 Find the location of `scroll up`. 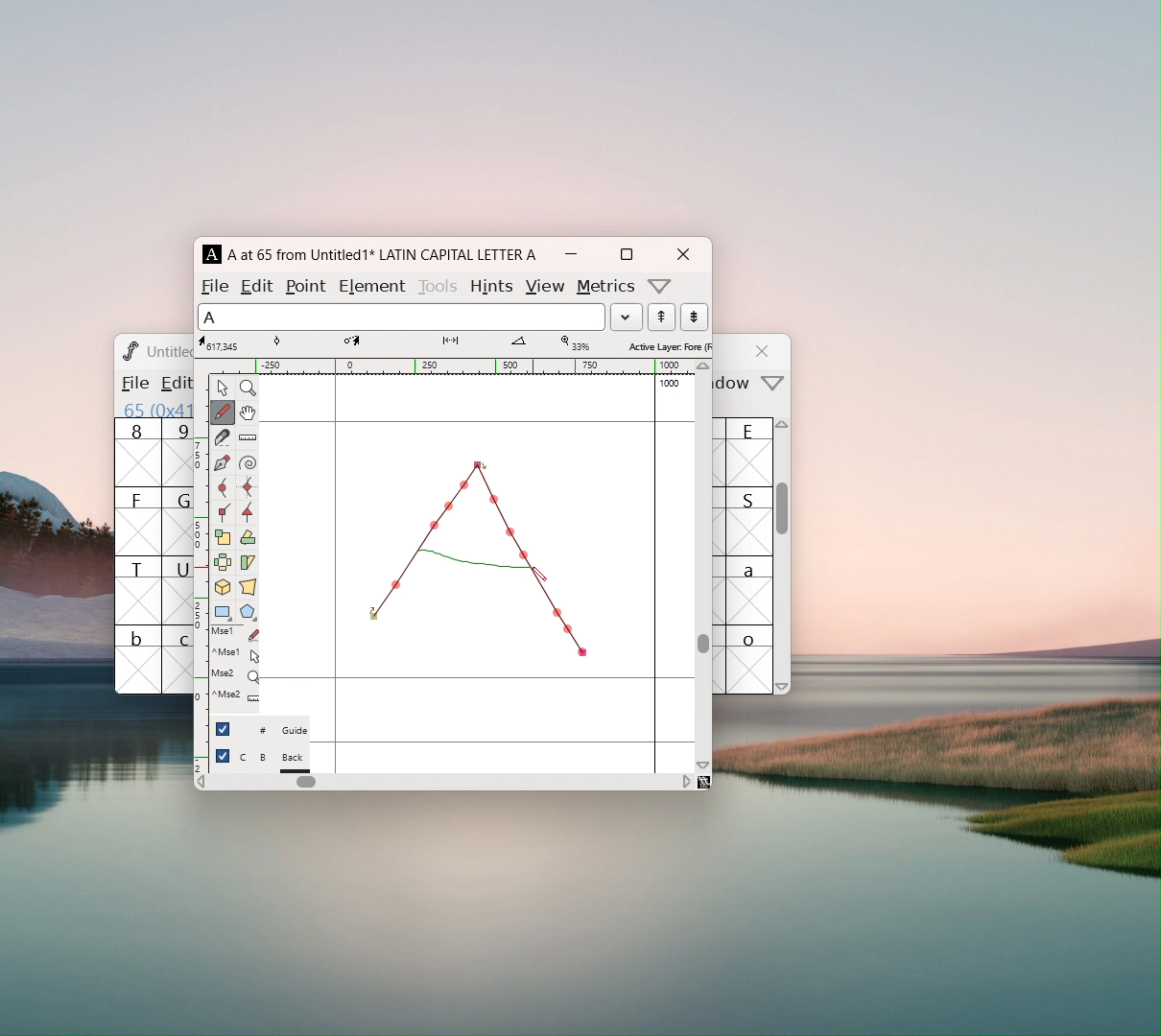

scroll up is located at coordinates (704, 366).